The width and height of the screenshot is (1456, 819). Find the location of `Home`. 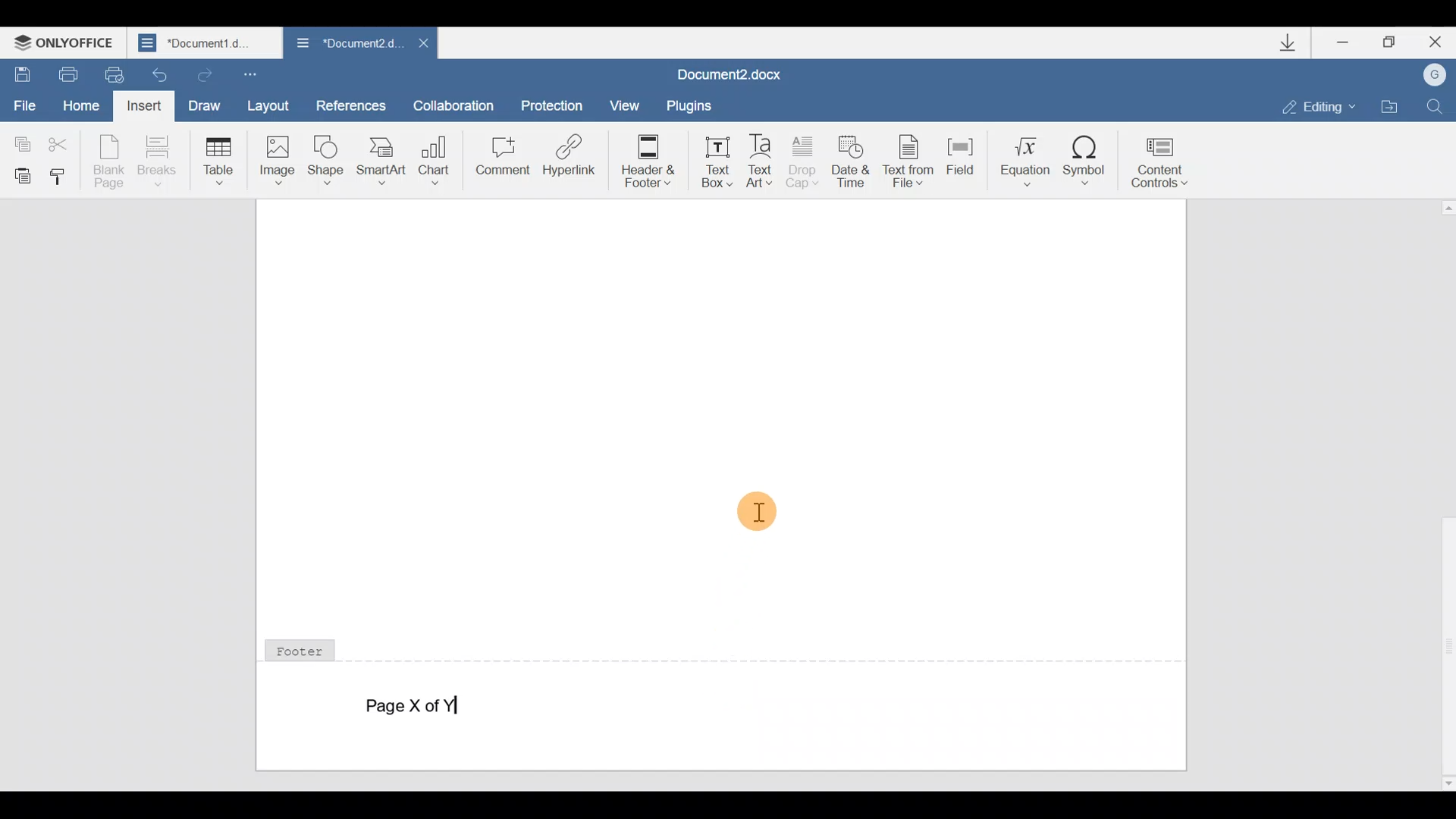

Home is located at coordinates (80, 104).